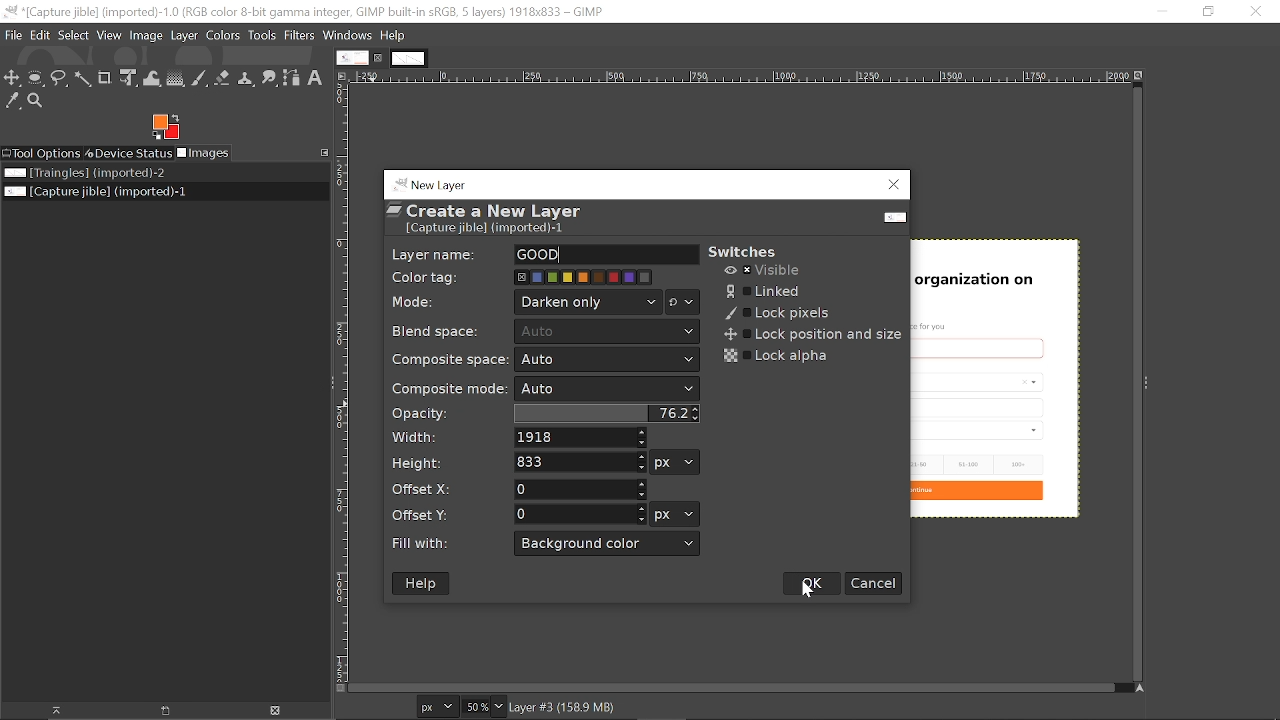 The height and width of the screenshot is (720, 1280). What do you see at coordinates (185, 35) in the screenshot?
I see `Layer` at bounding box center [185, 35].